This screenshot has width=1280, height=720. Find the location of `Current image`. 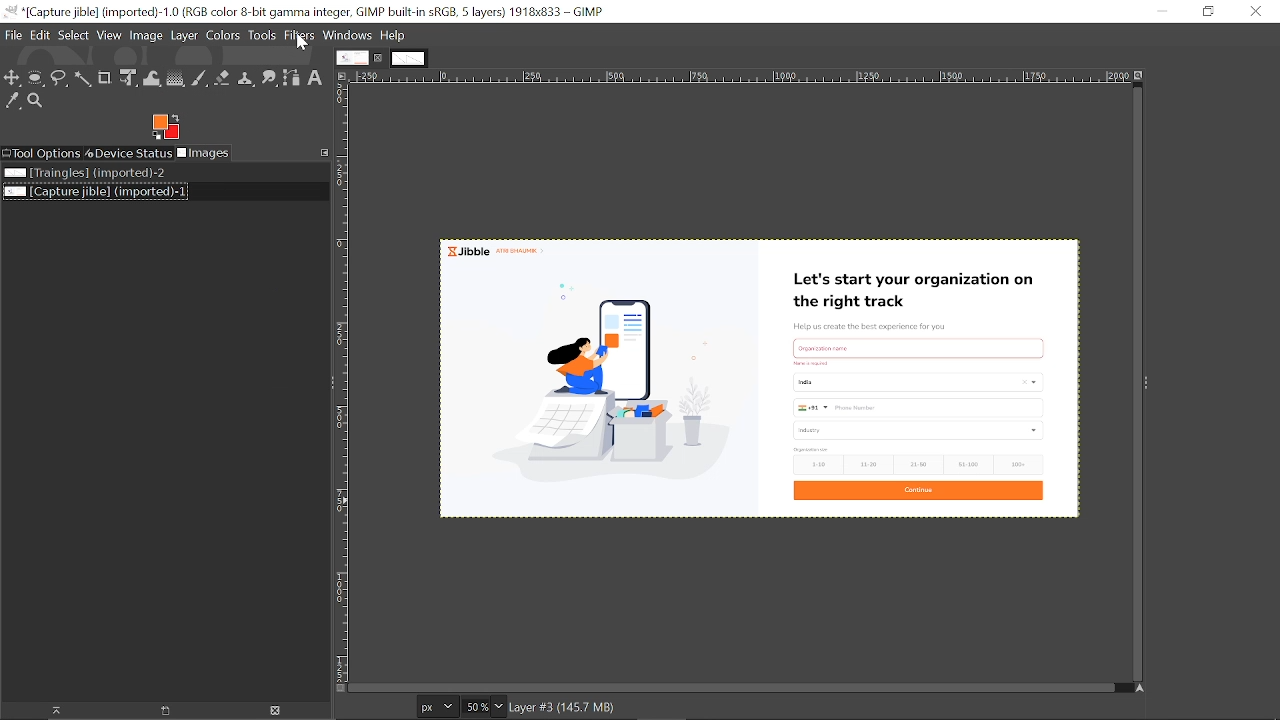

Current image is located at coordinates (758, 377).